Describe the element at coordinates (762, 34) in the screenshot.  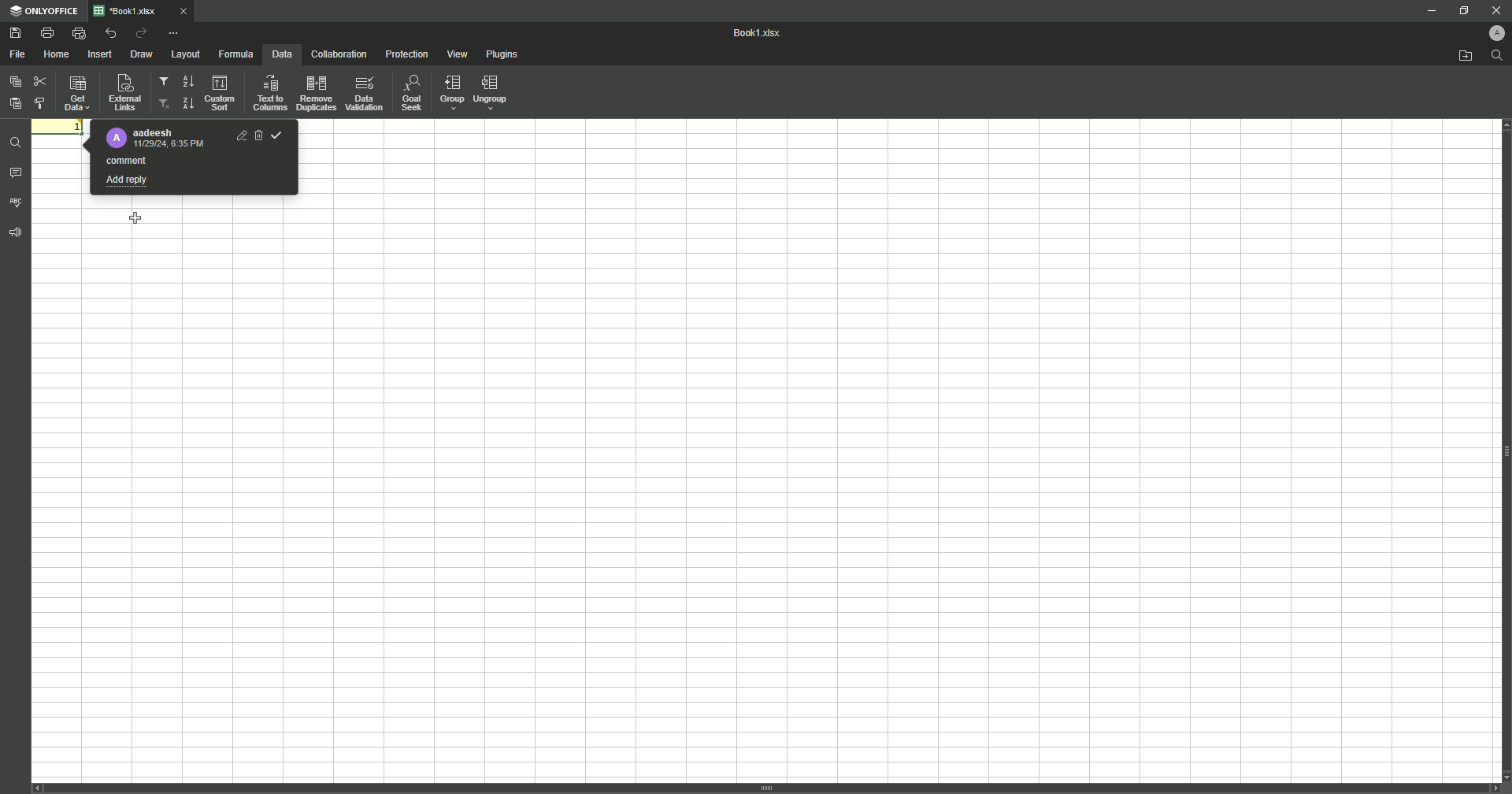
I see `Book1` at that location.